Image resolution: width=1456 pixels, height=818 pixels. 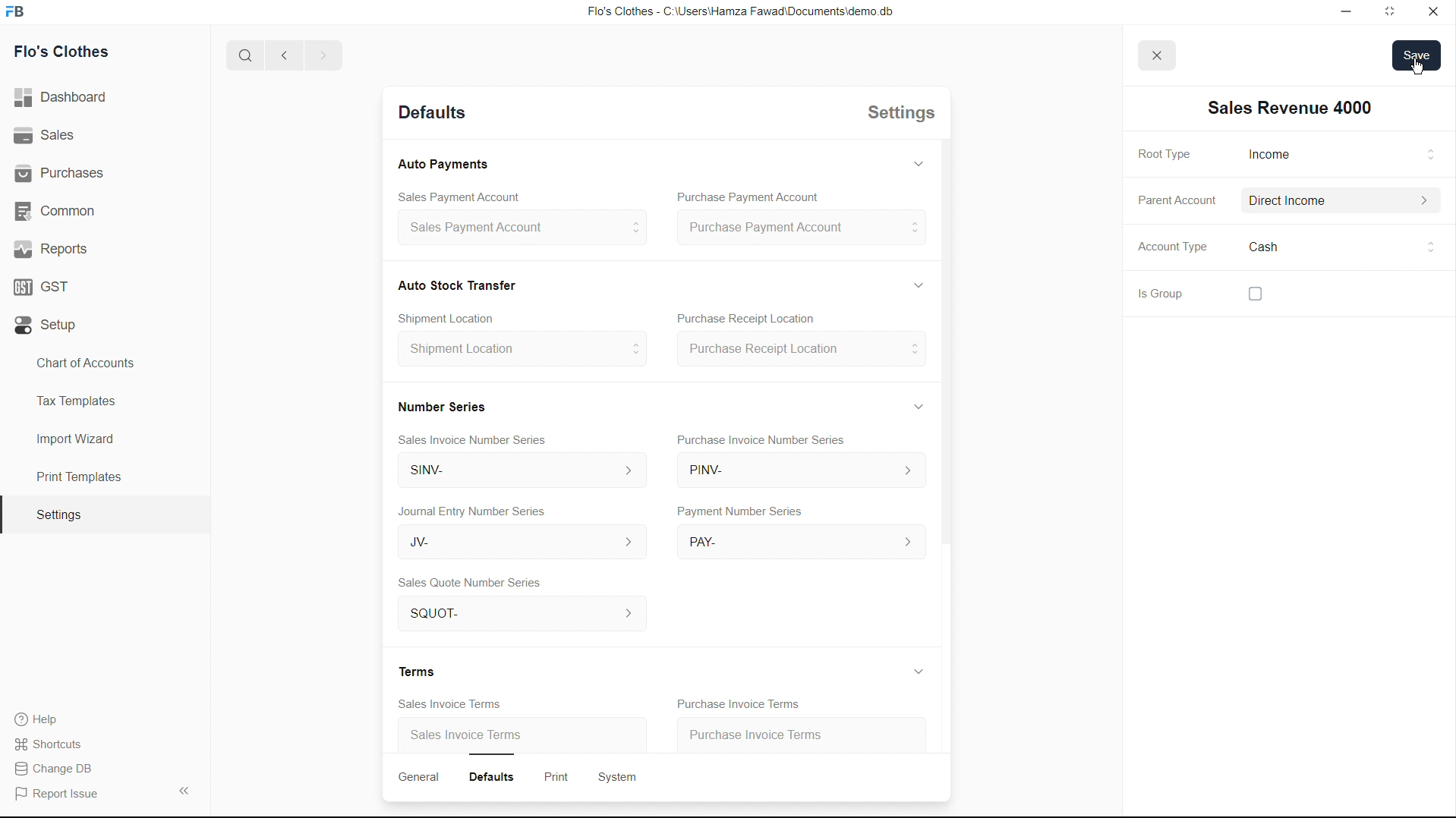 What do you see at coordinates (474, 508) in the screenshot?
I see `Journal Entry Number Series` at bounding box center [474, 508].